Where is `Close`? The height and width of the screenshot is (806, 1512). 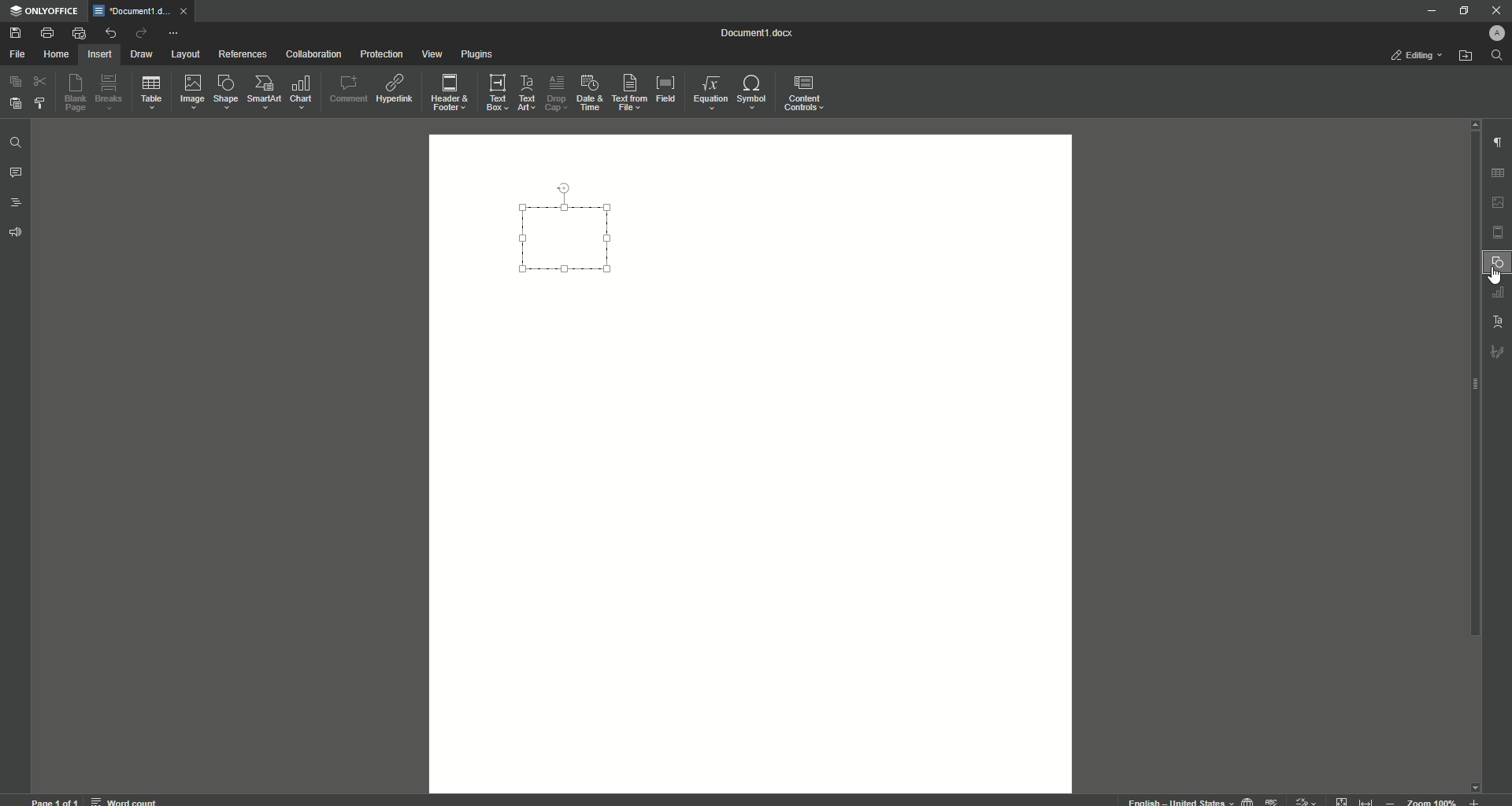 Close is located at coordinates (1495, 10).